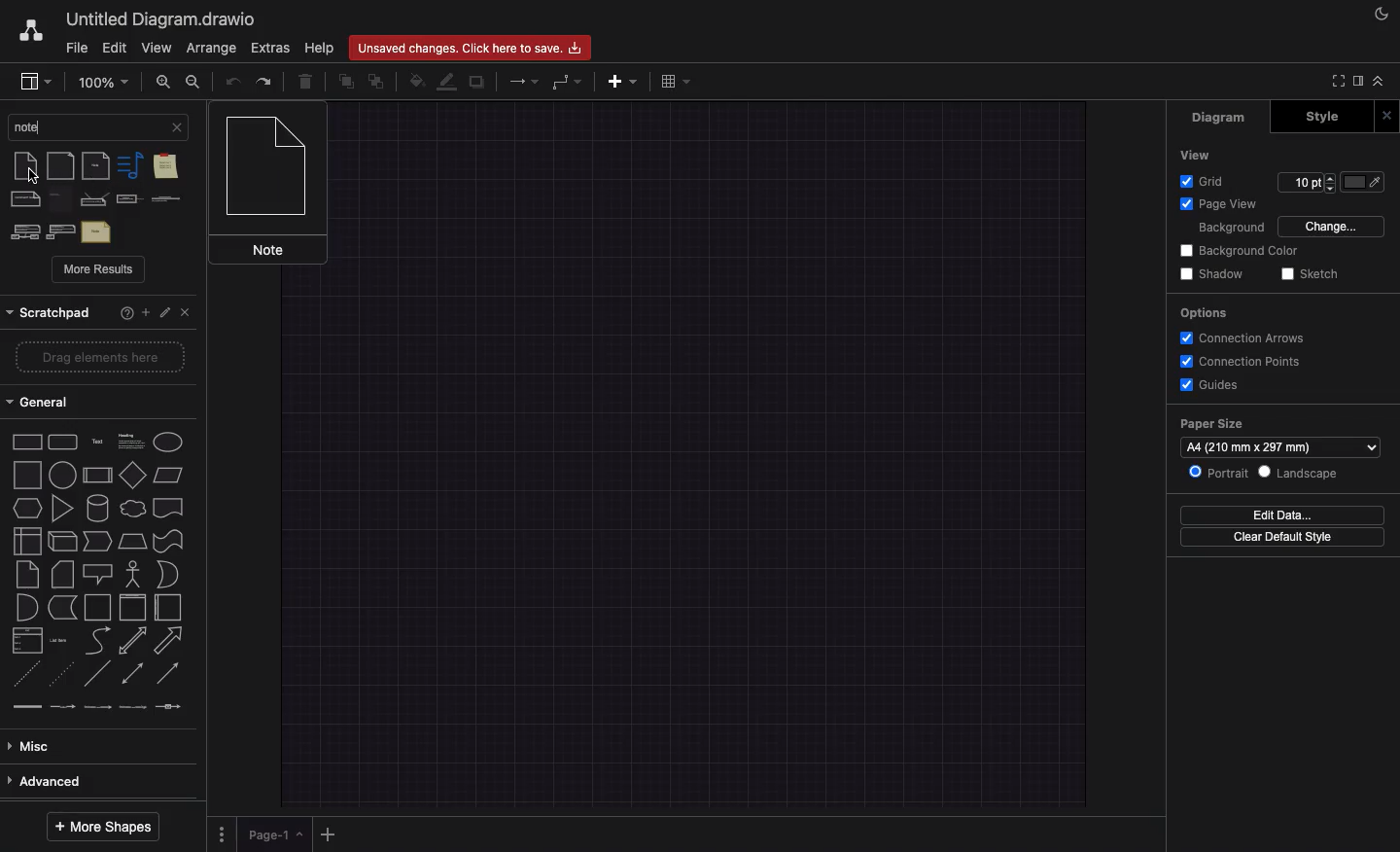 This screenshot has width=1400, height=852. I want to click on stereotype note, so click(22, 231).